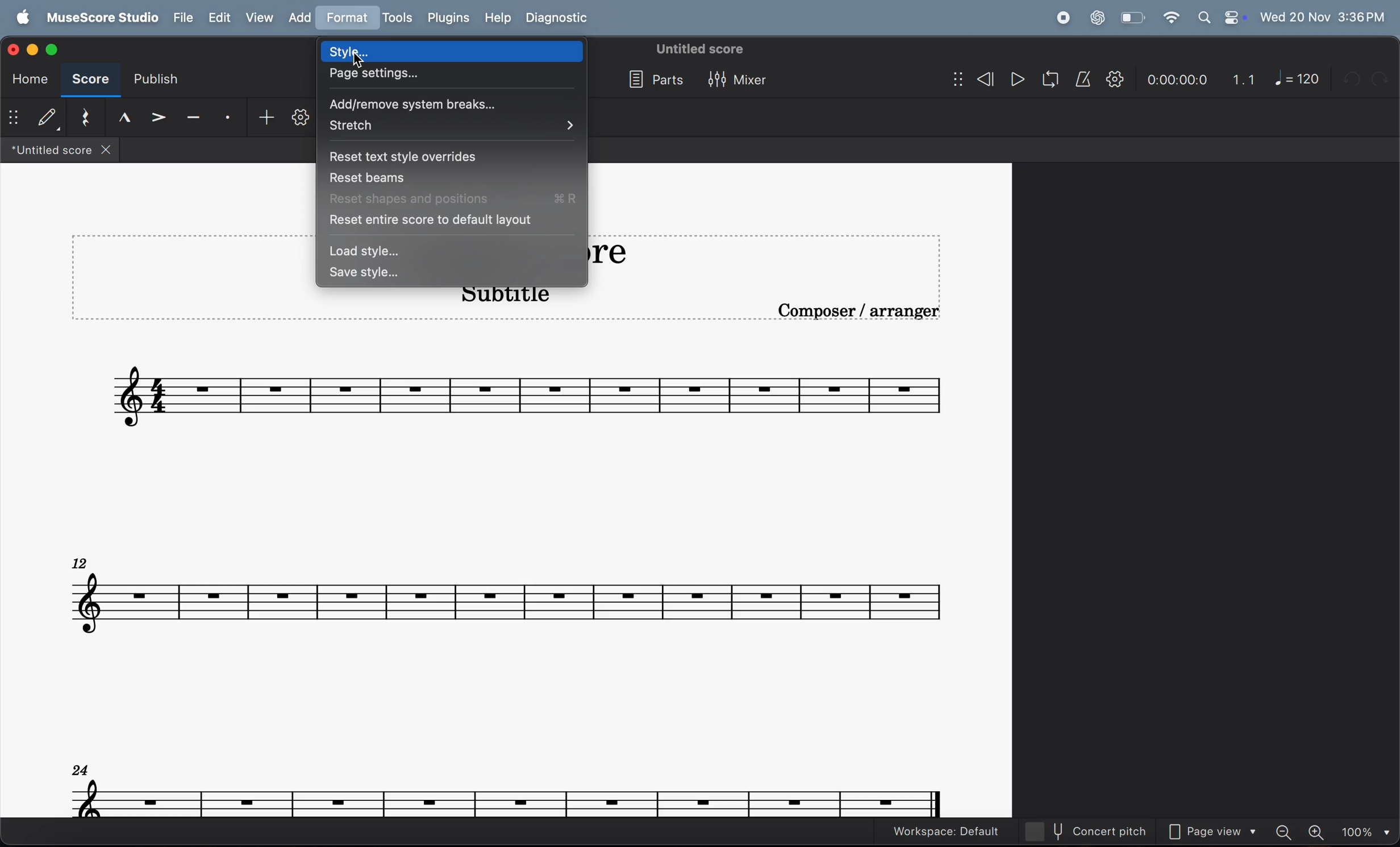 The width and height of the screenshot is (1400, 847). What do you see at coordinates (453, 77) in the screenshot?
I see `page setting` at bounding box center [453, 77].